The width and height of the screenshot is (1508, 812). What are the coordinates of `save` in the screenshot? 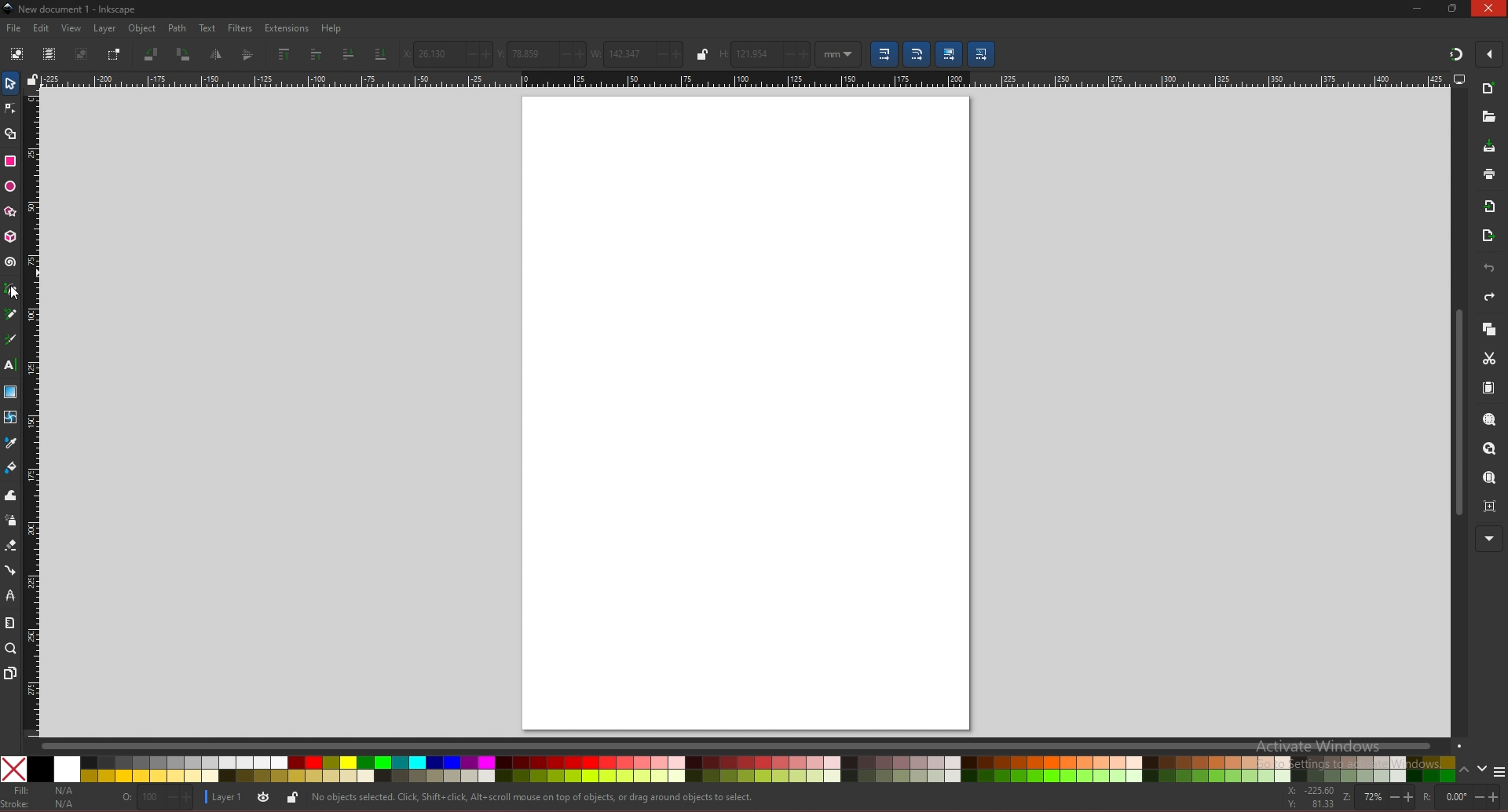 It's located at (1490, 148).